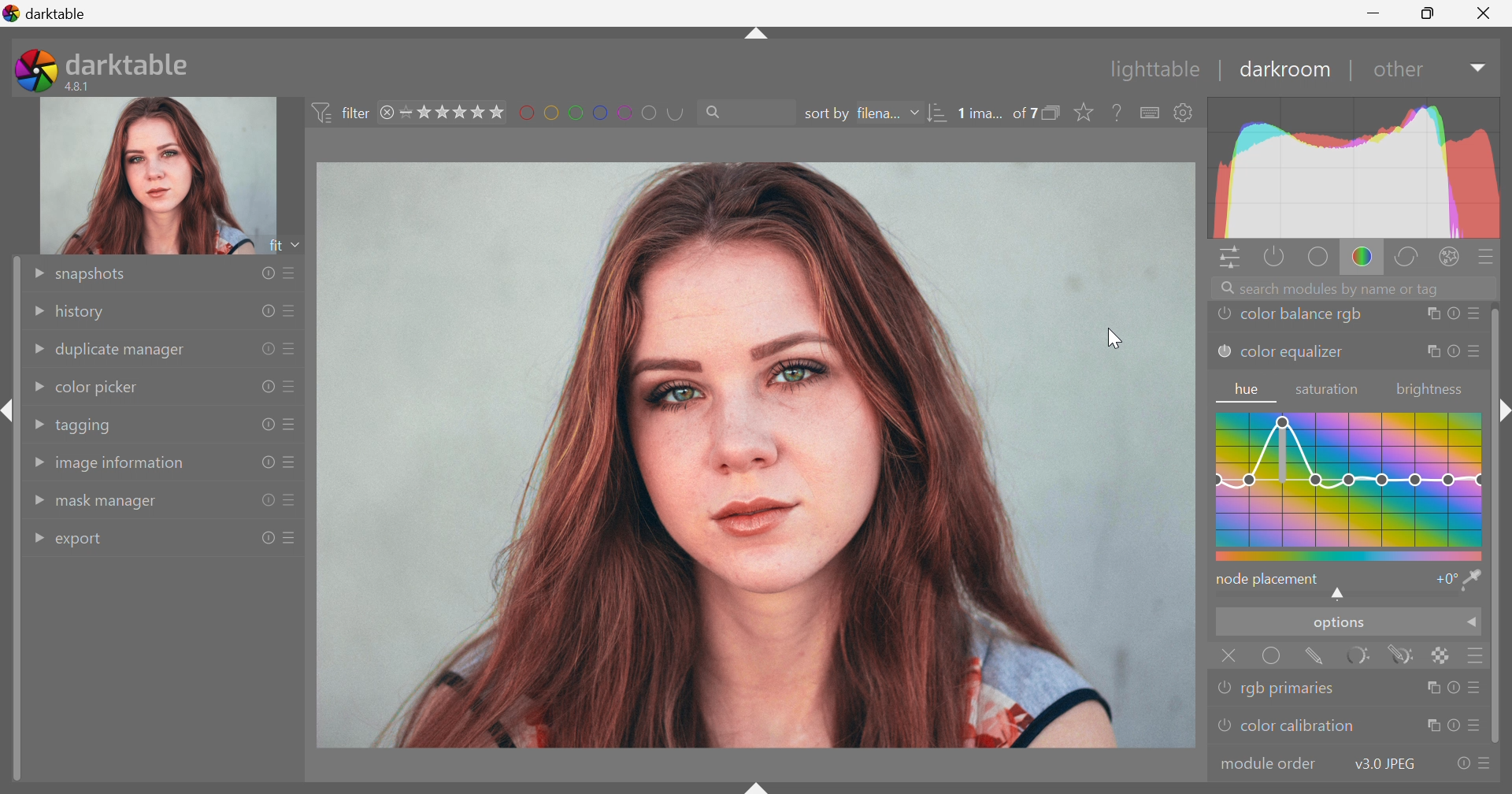 The image size is (1512, 794). Describe the element at coordinates (291, 463) in the screenshot. I see `presets` at that location.